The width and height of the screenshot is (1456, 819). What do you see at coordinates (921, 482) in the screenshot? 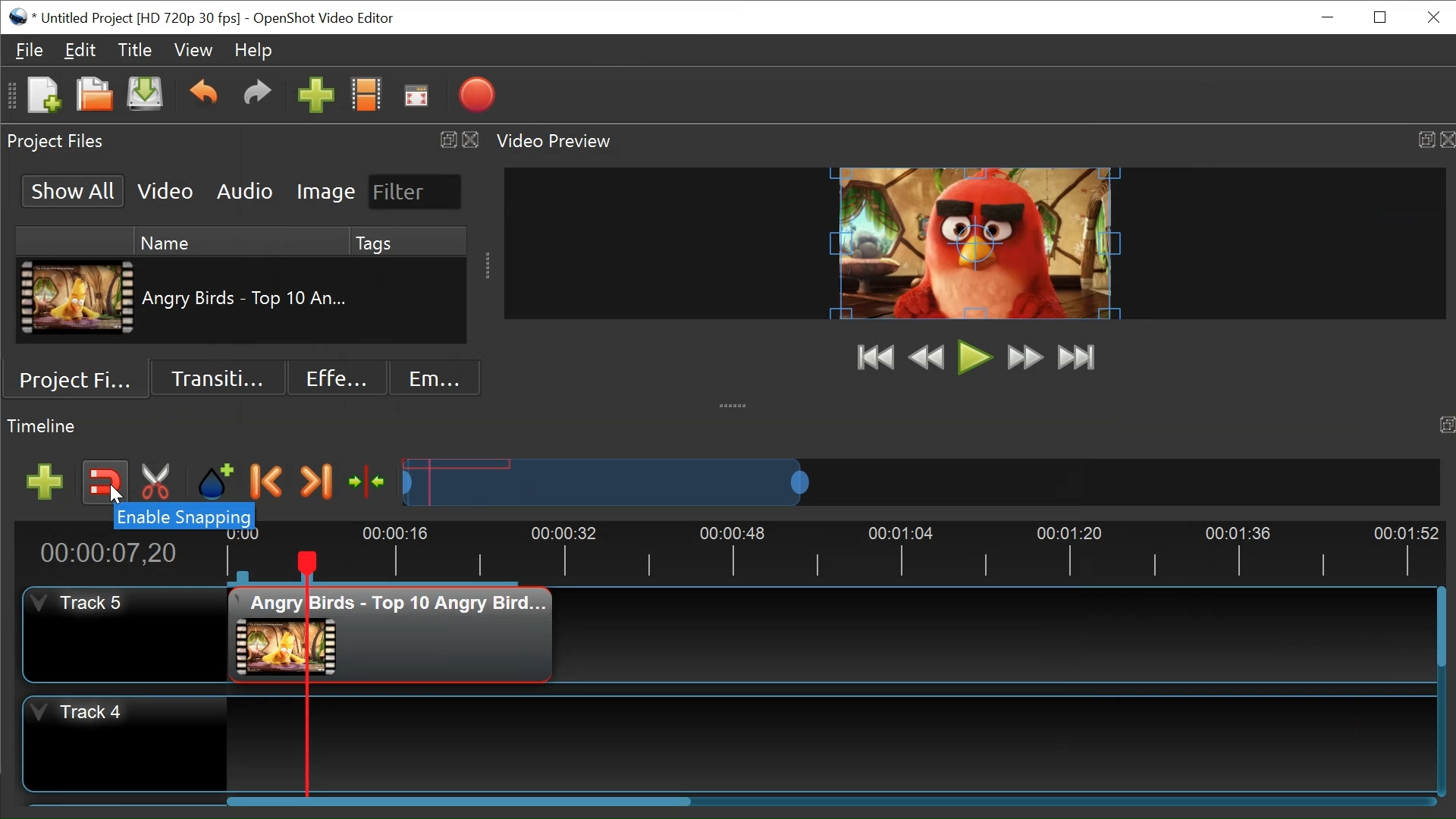
I see `Zoom Slider` at bounding box center [921, 482].